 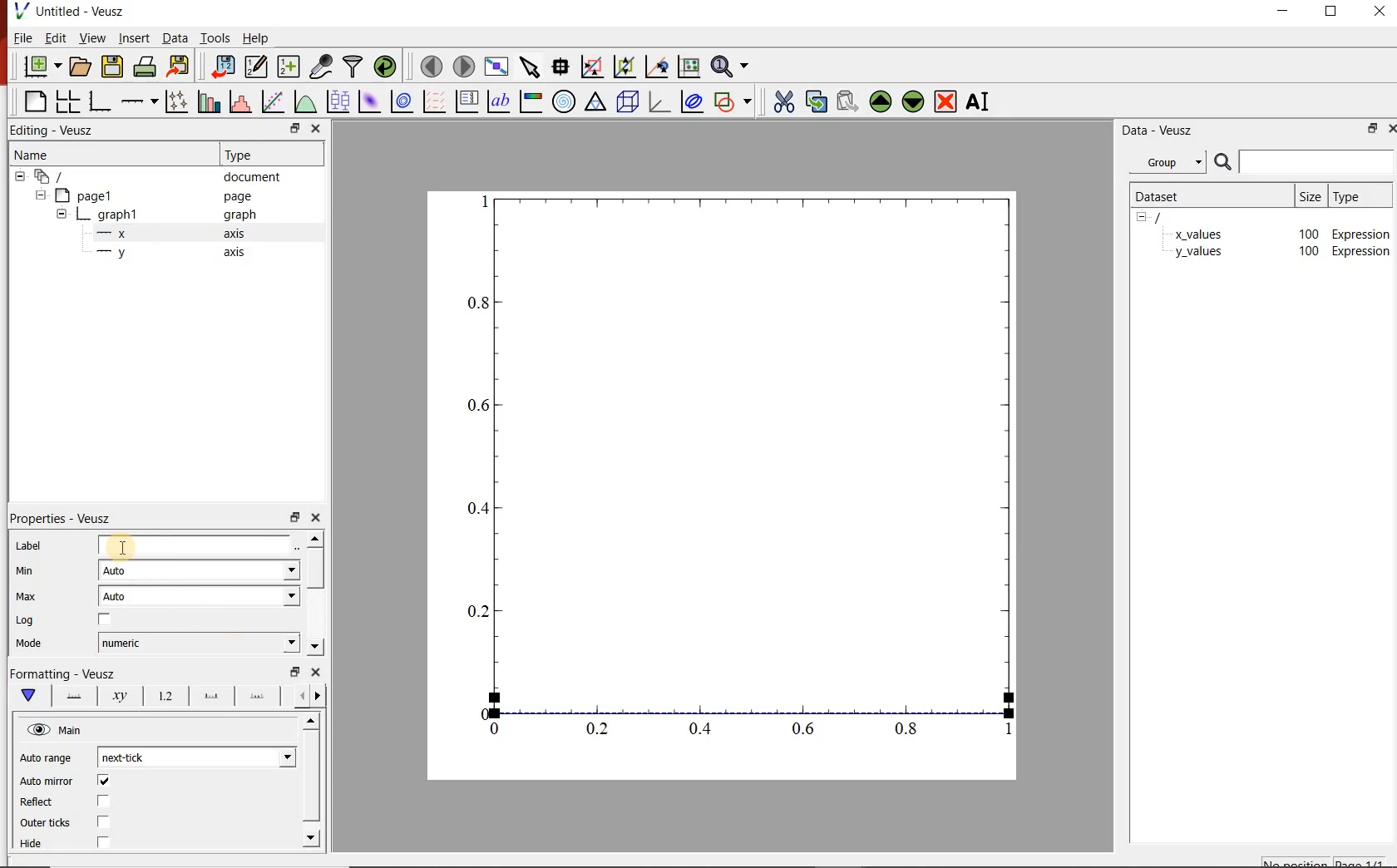 What do you see at coordinates (309, 722) in the screenshot?
I see `move up` at bounding box center [309, 722].